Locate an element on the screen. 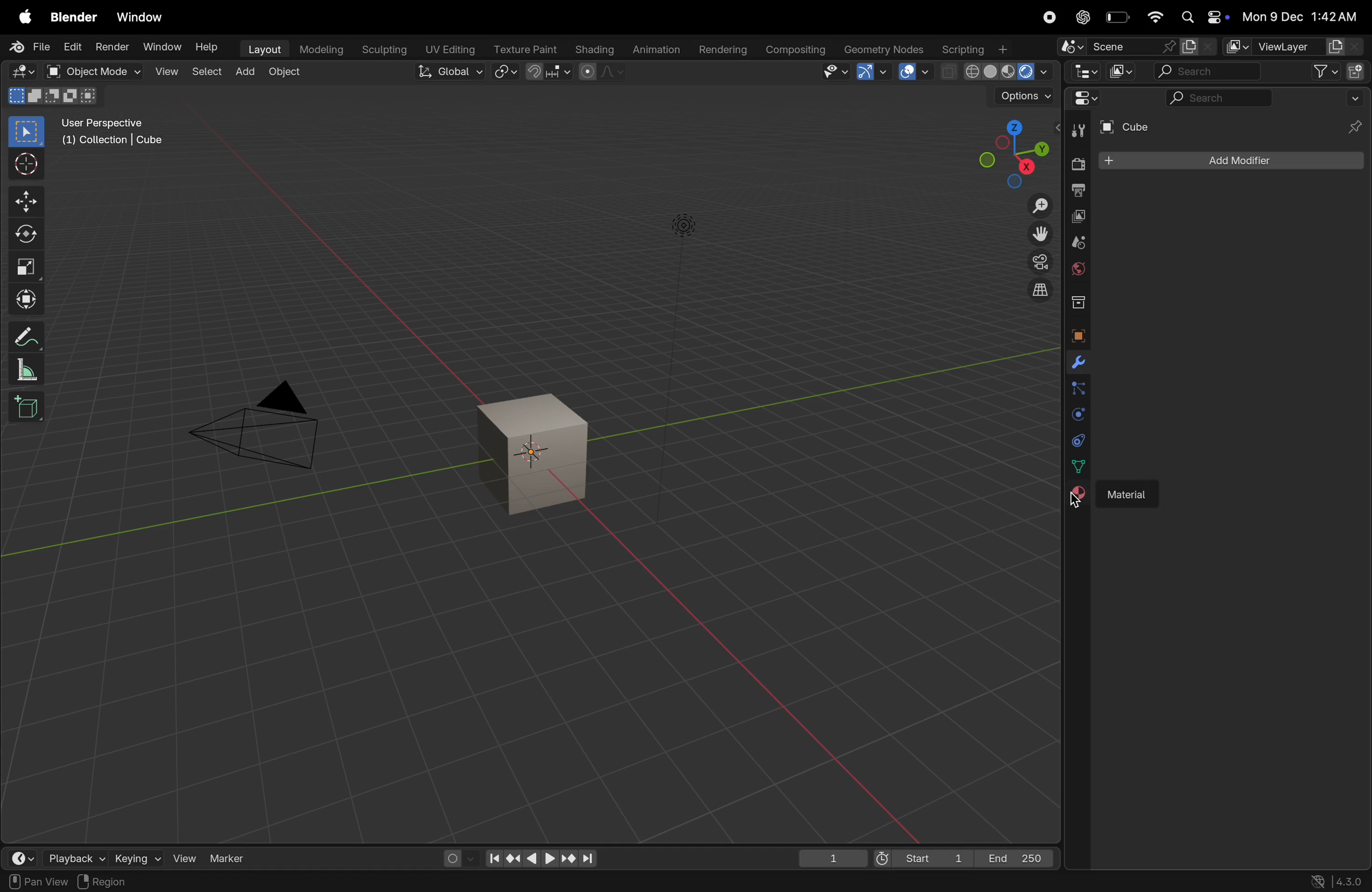 The image size is (1372, 892). select box is located at coordinates (26, 132).